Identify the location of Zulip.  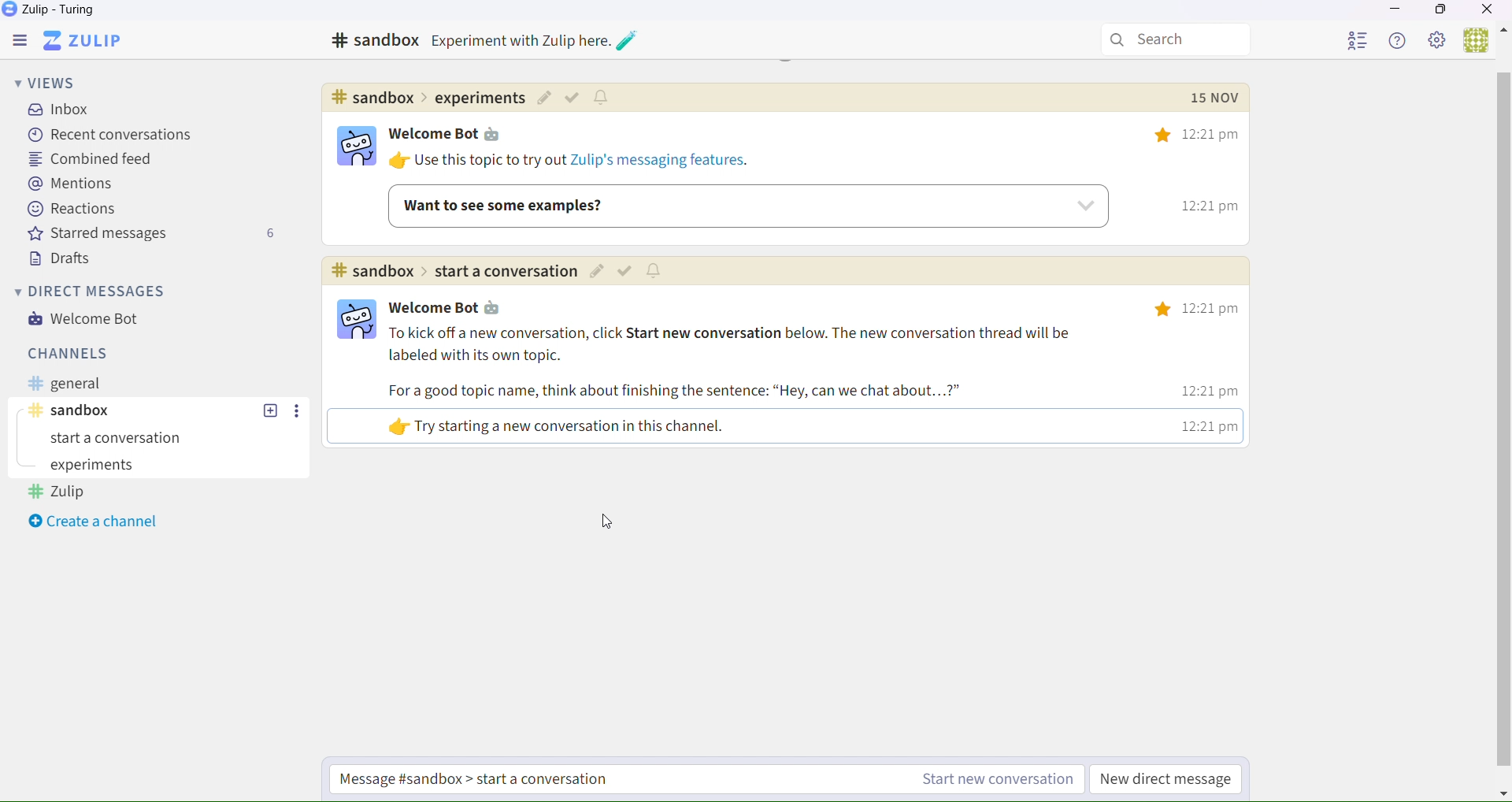
(60, 495).